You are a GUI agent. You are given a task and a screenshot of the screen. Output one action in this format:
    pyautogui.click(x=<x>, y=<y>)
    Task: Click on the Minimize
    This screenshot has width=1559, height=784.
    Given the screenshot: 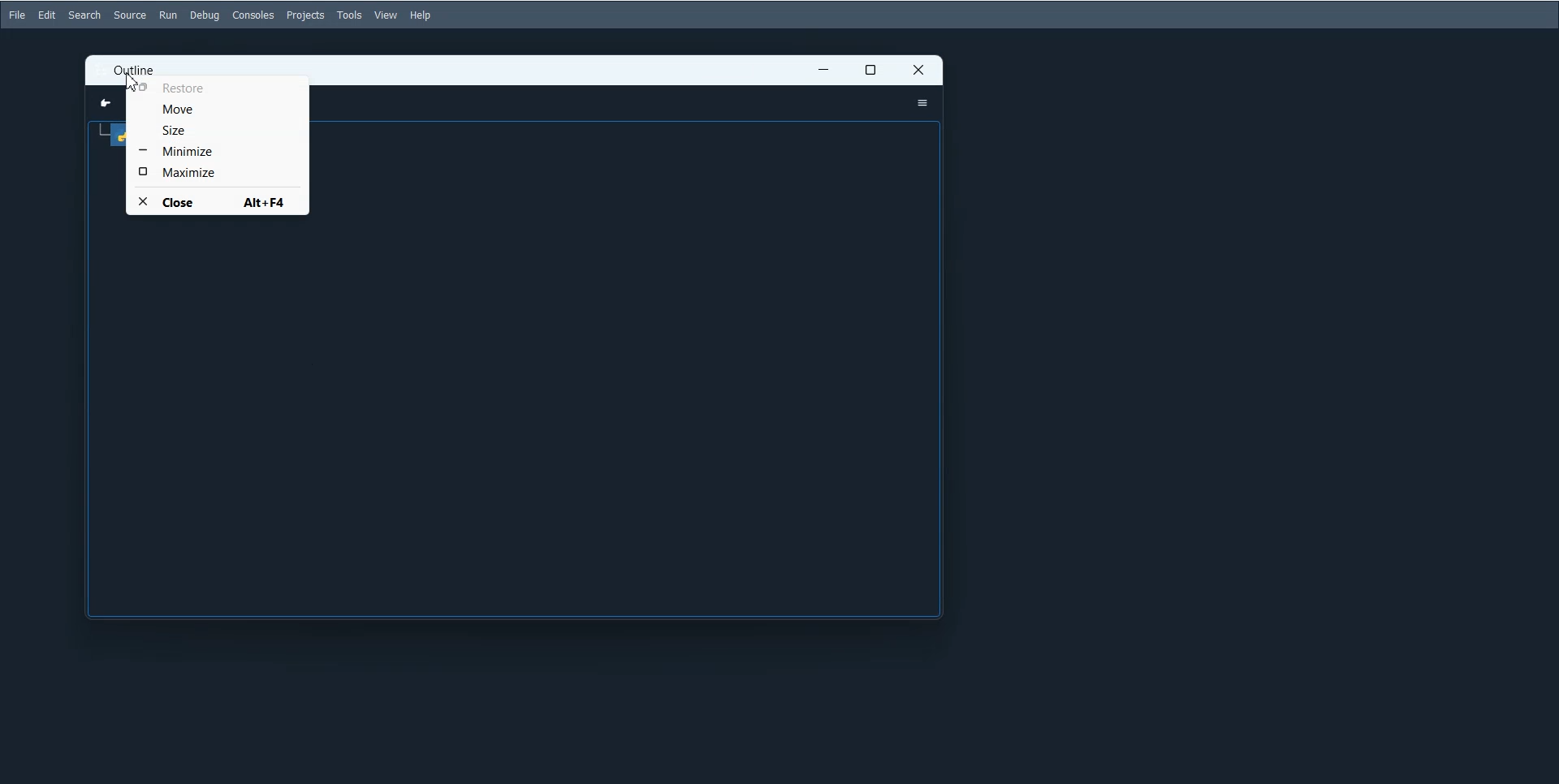 What is the action you would take?
    pyautogui.click(x=218, y=151)
    